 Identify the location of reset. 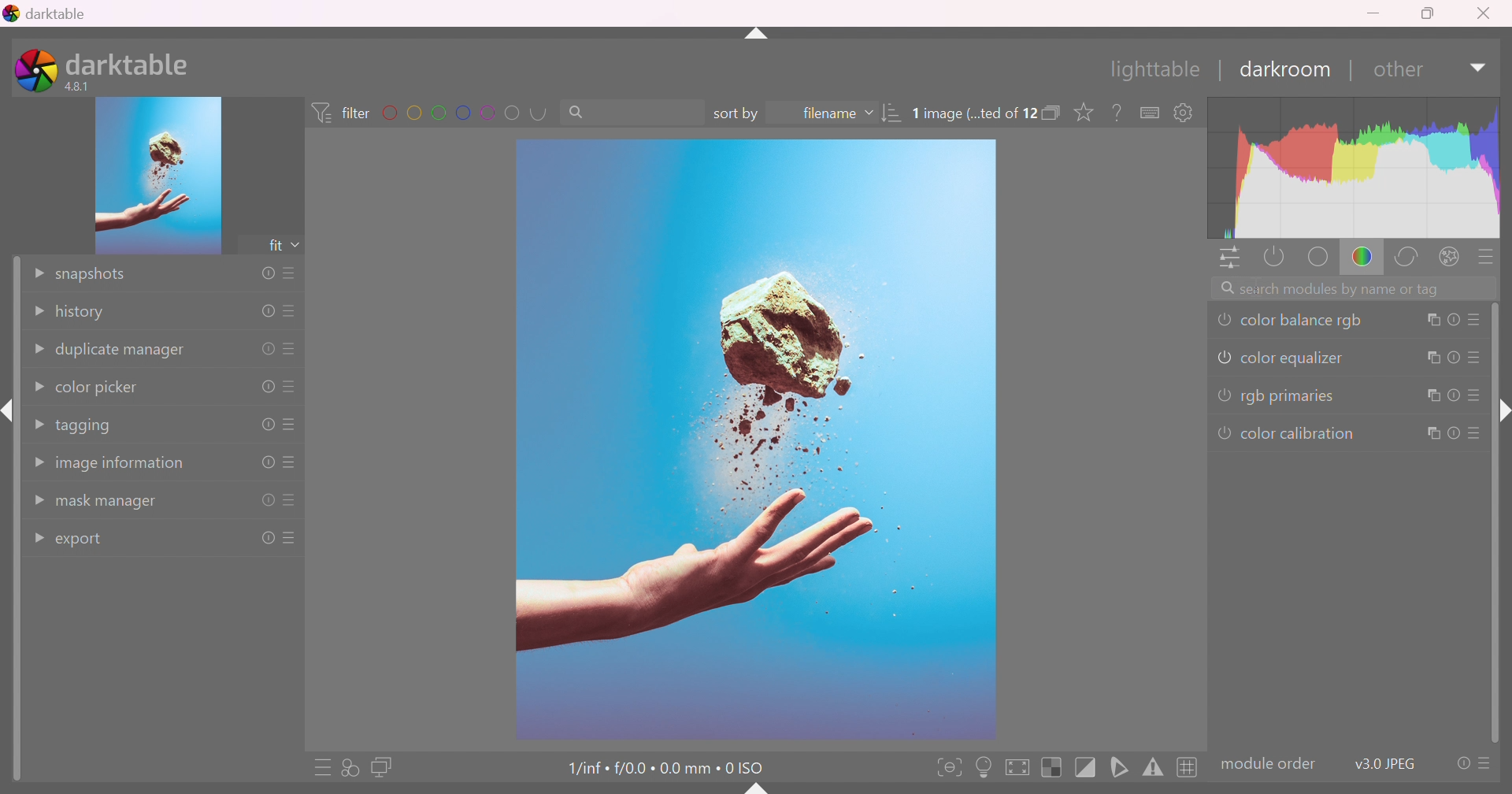
(1453, 321).